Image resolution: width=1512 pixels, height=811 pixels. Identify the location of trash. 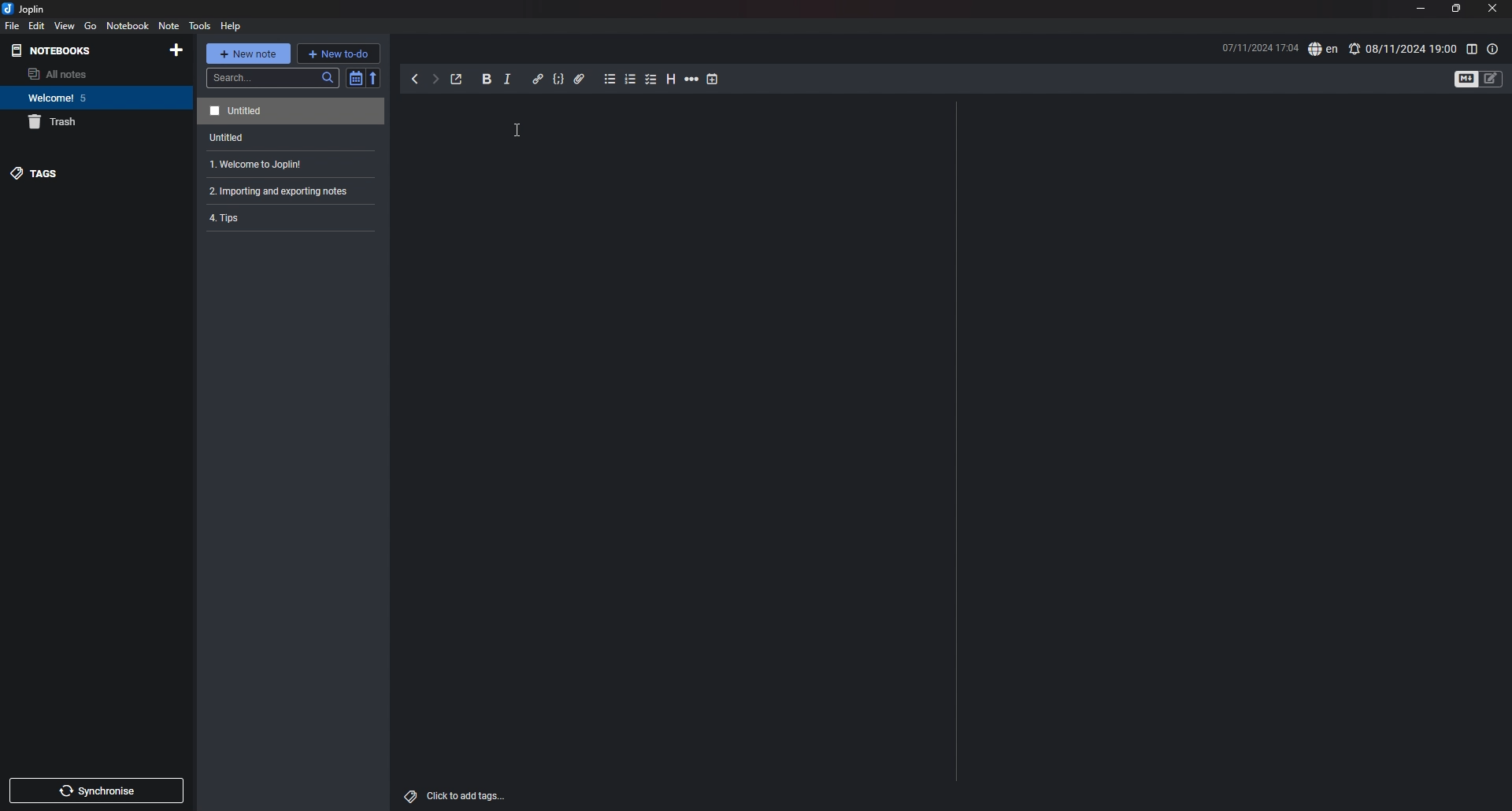
(87, 122).